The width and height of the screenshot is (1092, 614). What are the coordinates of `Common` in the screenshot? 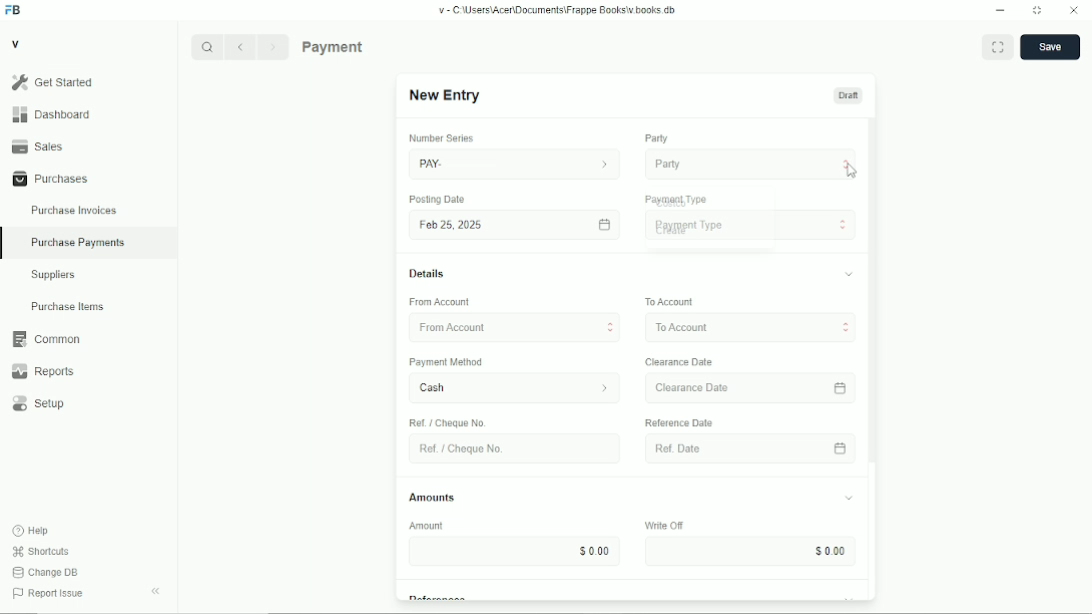 It's located at (89, 339).